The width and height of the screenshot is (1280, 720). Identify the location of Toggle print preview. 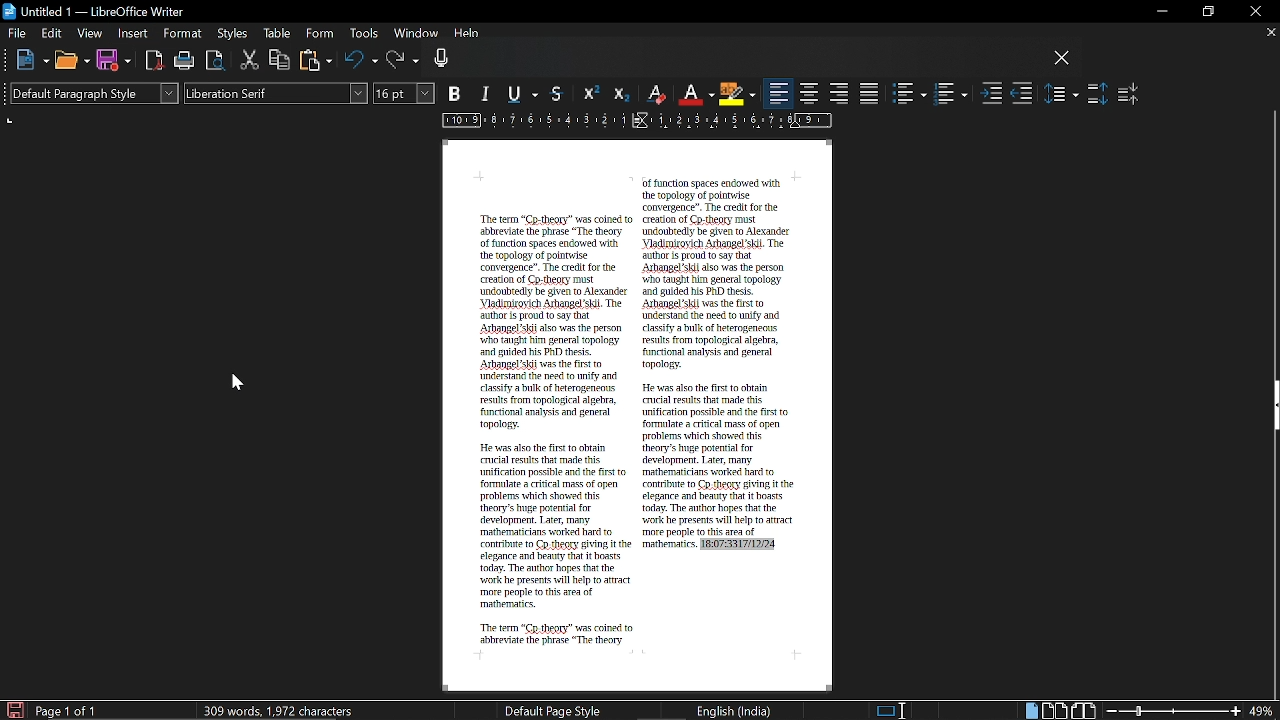
(216, 61).